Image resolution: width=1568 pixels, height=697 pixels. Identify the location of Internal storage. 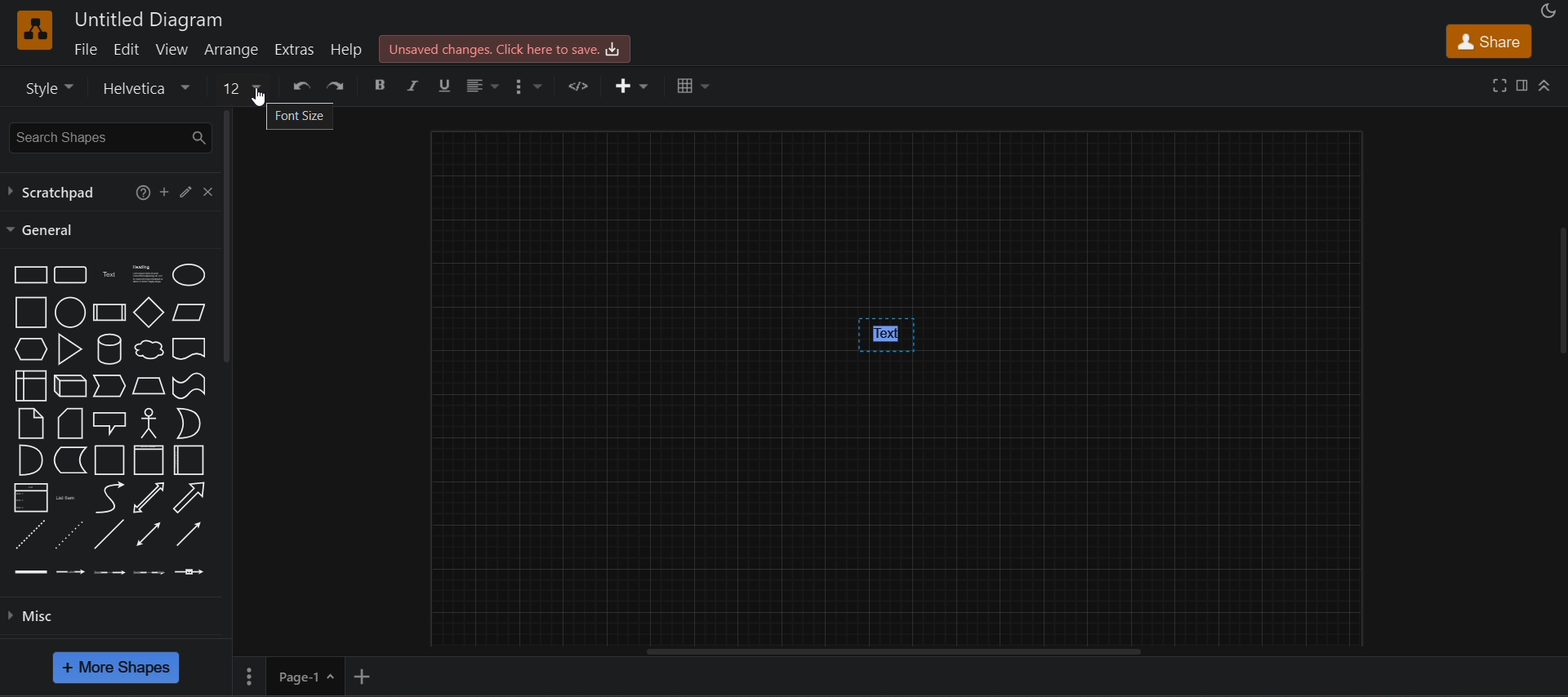
(32, 385).